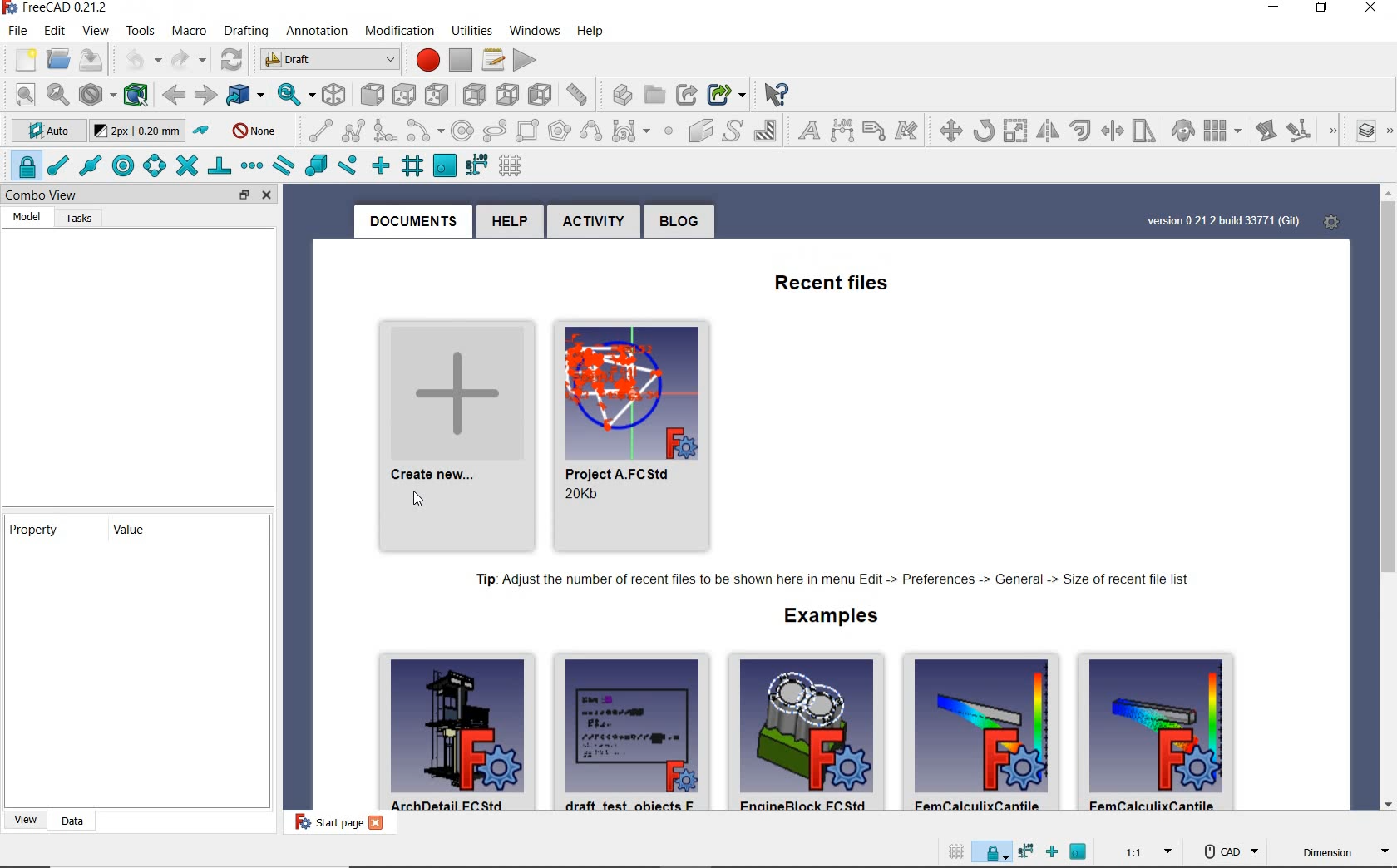  What do you see at coordinates (220, 166) in the screenshot?
I see `snap perpendicular` at bounding box center [220, 166].